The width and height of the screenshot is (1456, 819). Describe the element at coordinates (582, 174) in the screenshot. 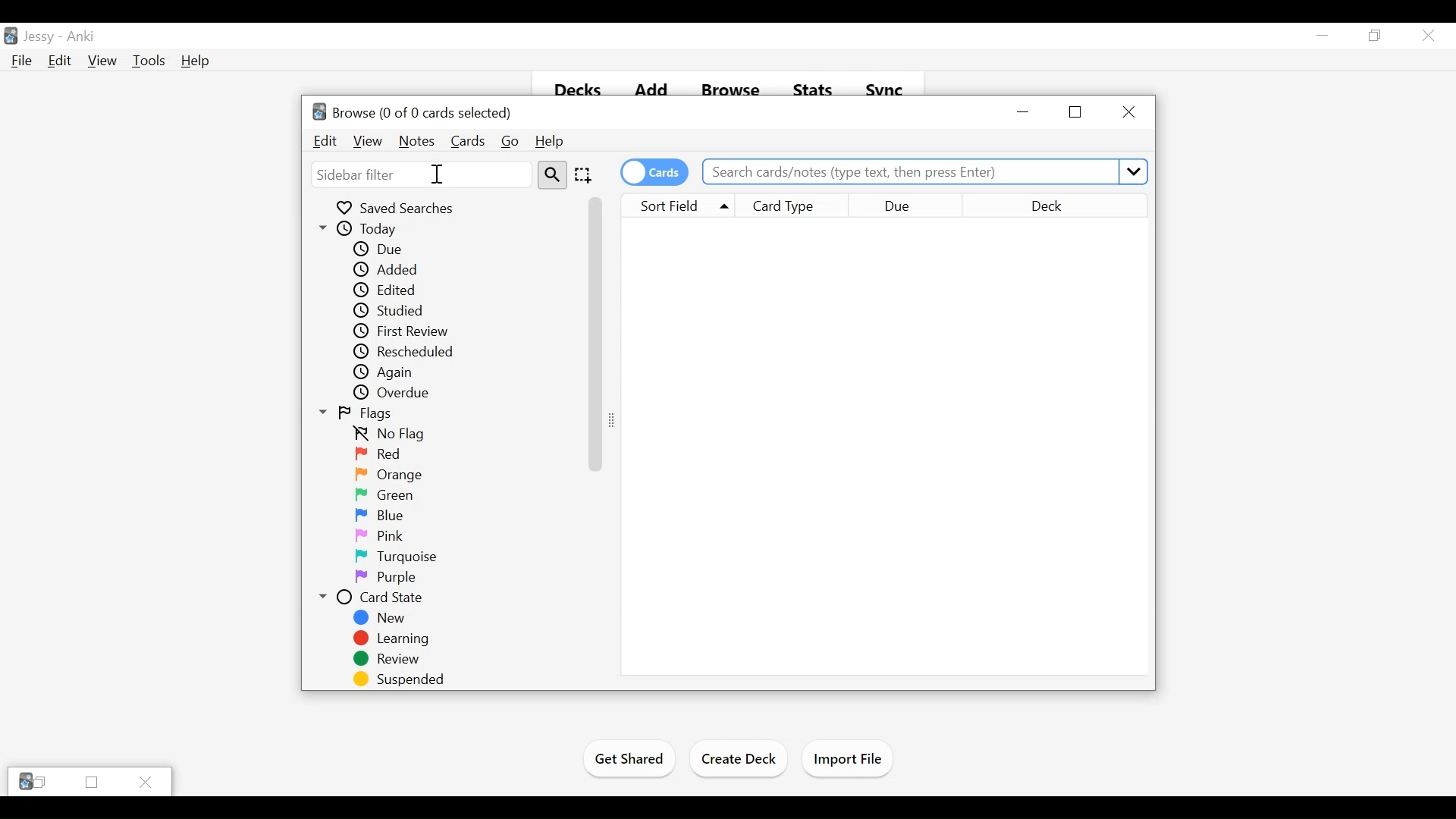

I see `Selection Tool` at that location.